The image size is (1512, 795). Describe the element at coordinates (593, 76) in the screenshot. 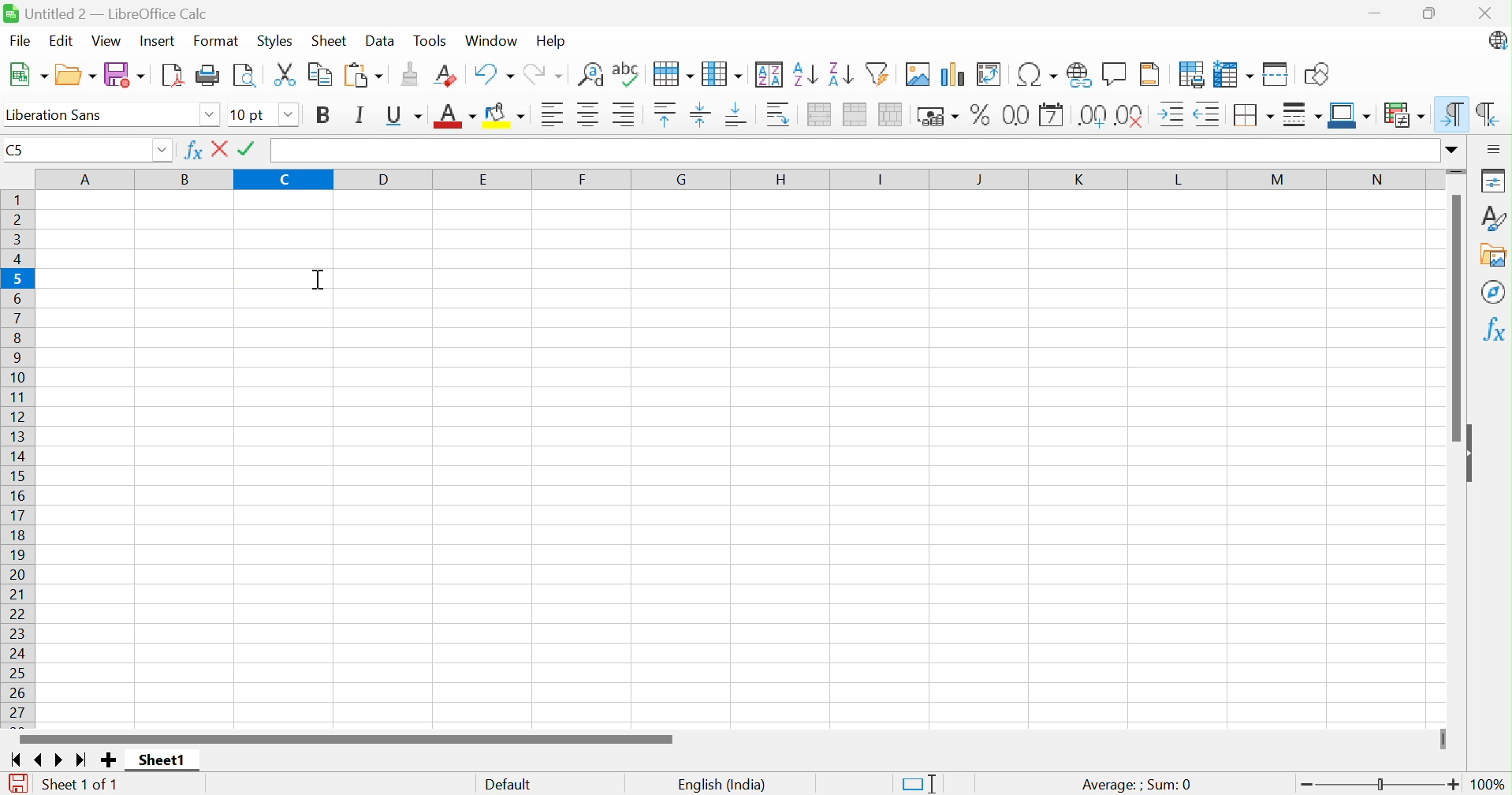

I see `Find and replace` at that location.